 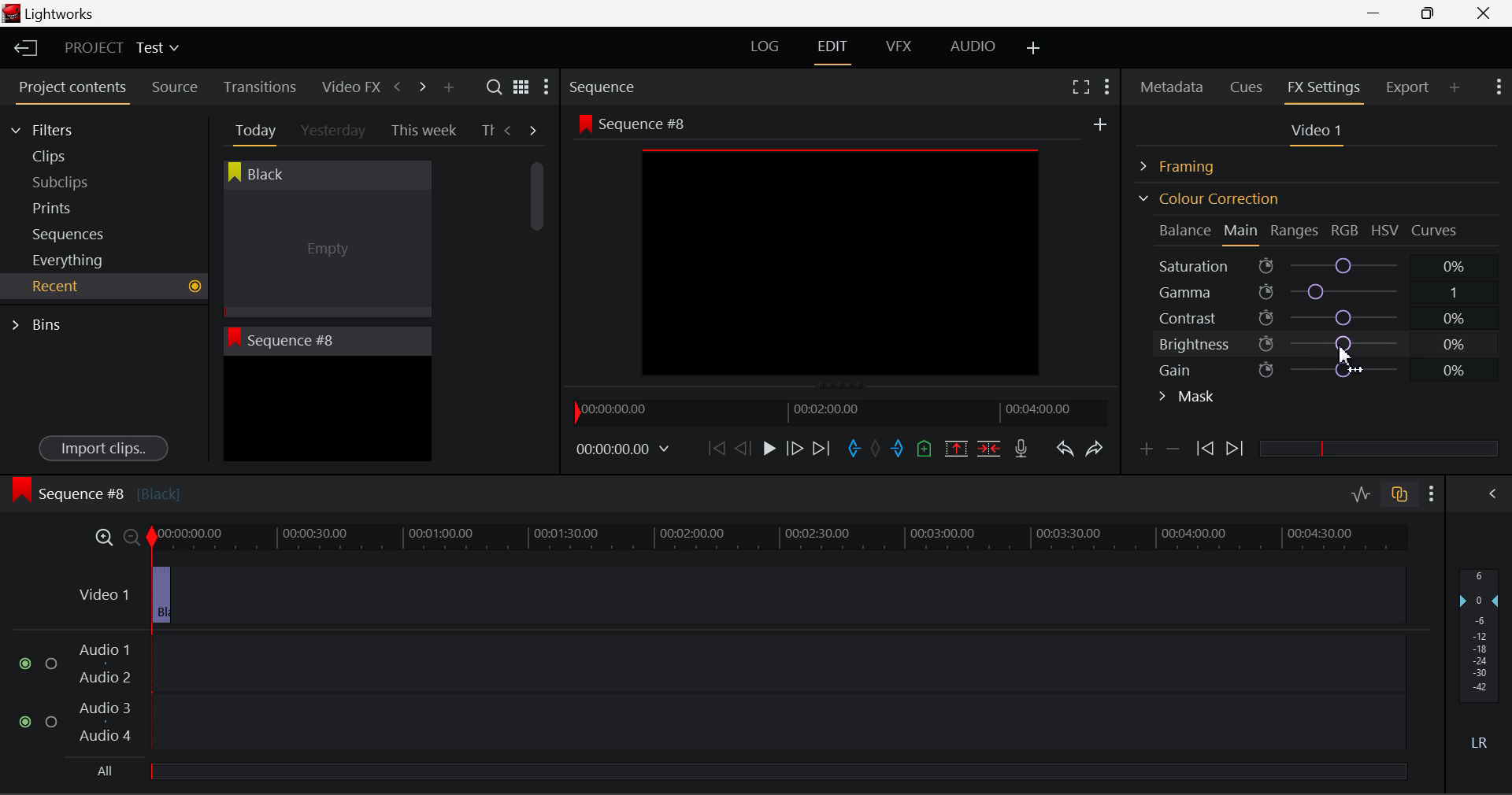 I want to click on Brightness, so click(x=1320, y=342).